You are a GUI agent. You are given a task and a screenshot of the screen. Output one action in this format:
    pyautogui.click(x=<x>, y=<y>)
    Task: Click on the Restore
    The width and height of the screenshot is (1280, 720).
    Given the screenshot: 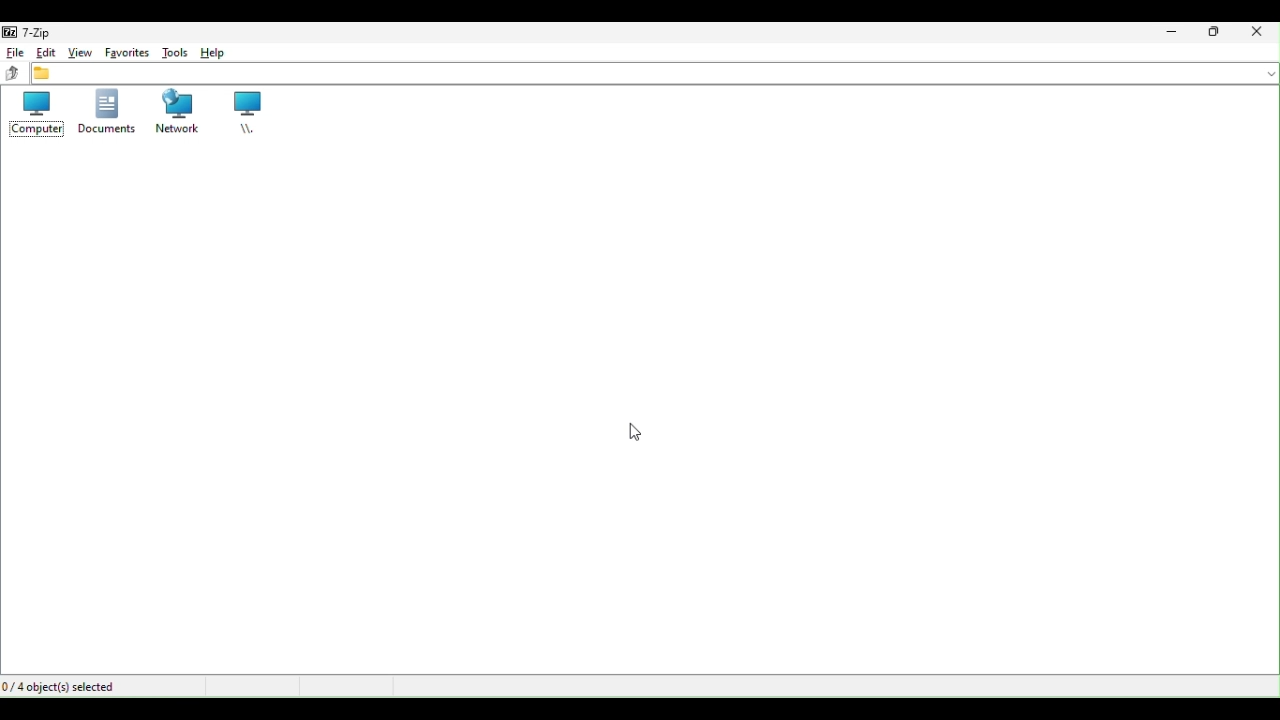 What is the action you would take?
    pyautogui.click(x=1214, y=32)
    